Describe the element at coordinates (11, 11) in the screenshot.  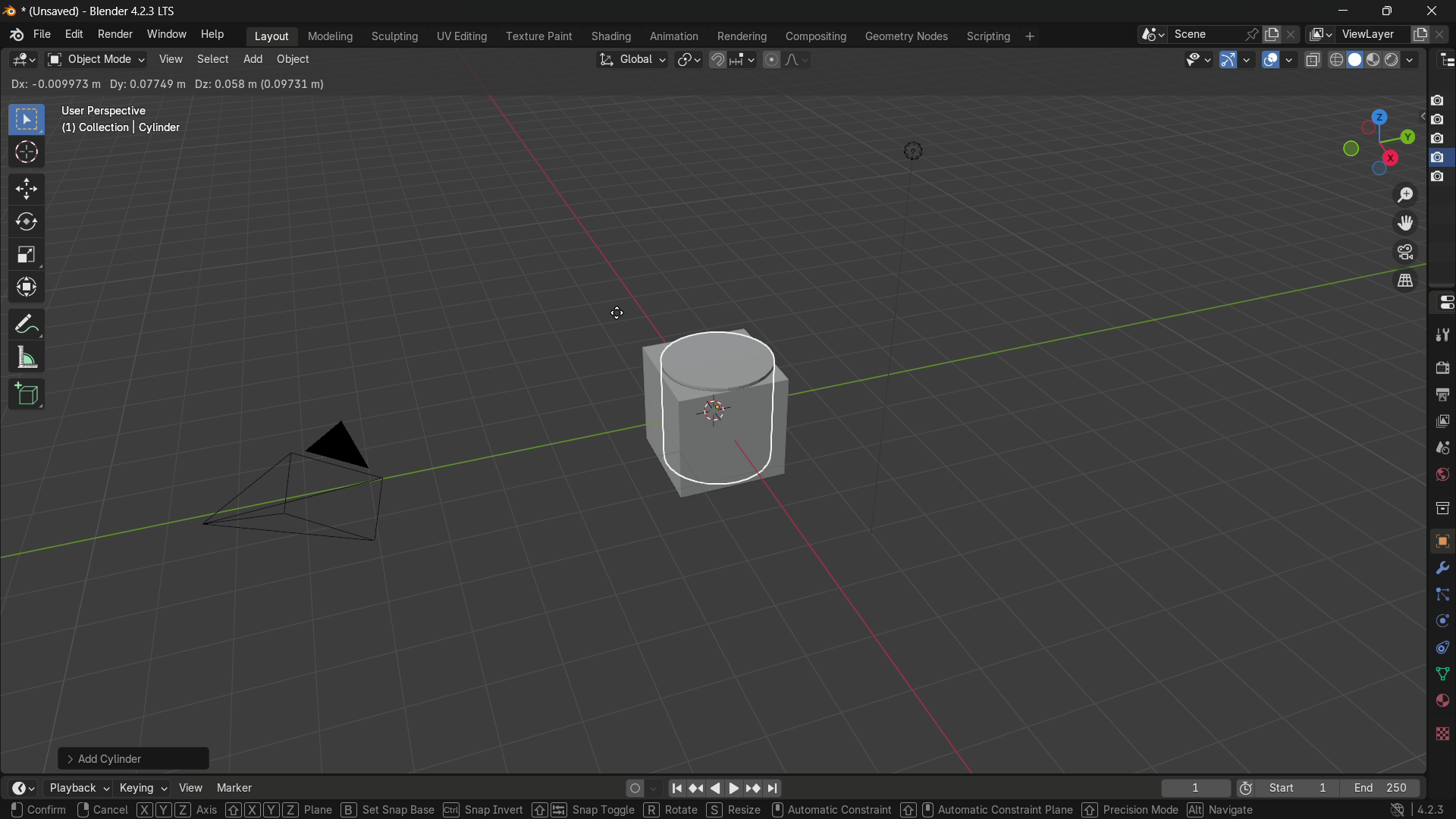
I see `blender logo` at that location.